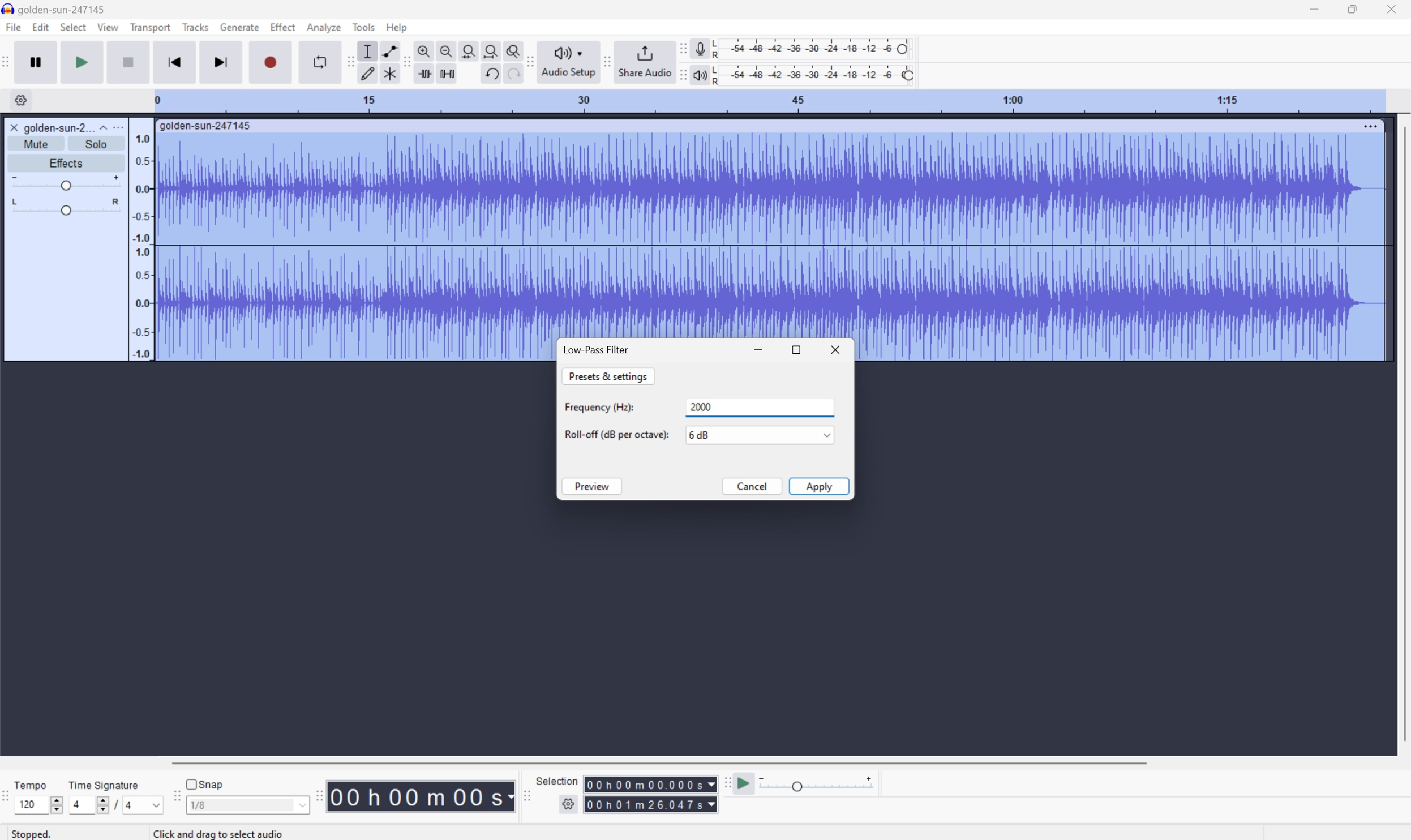 The image size is (1411, 840). Describe the element at coordinates (491, 74) in the screenshot. I see `Undo` at that location.